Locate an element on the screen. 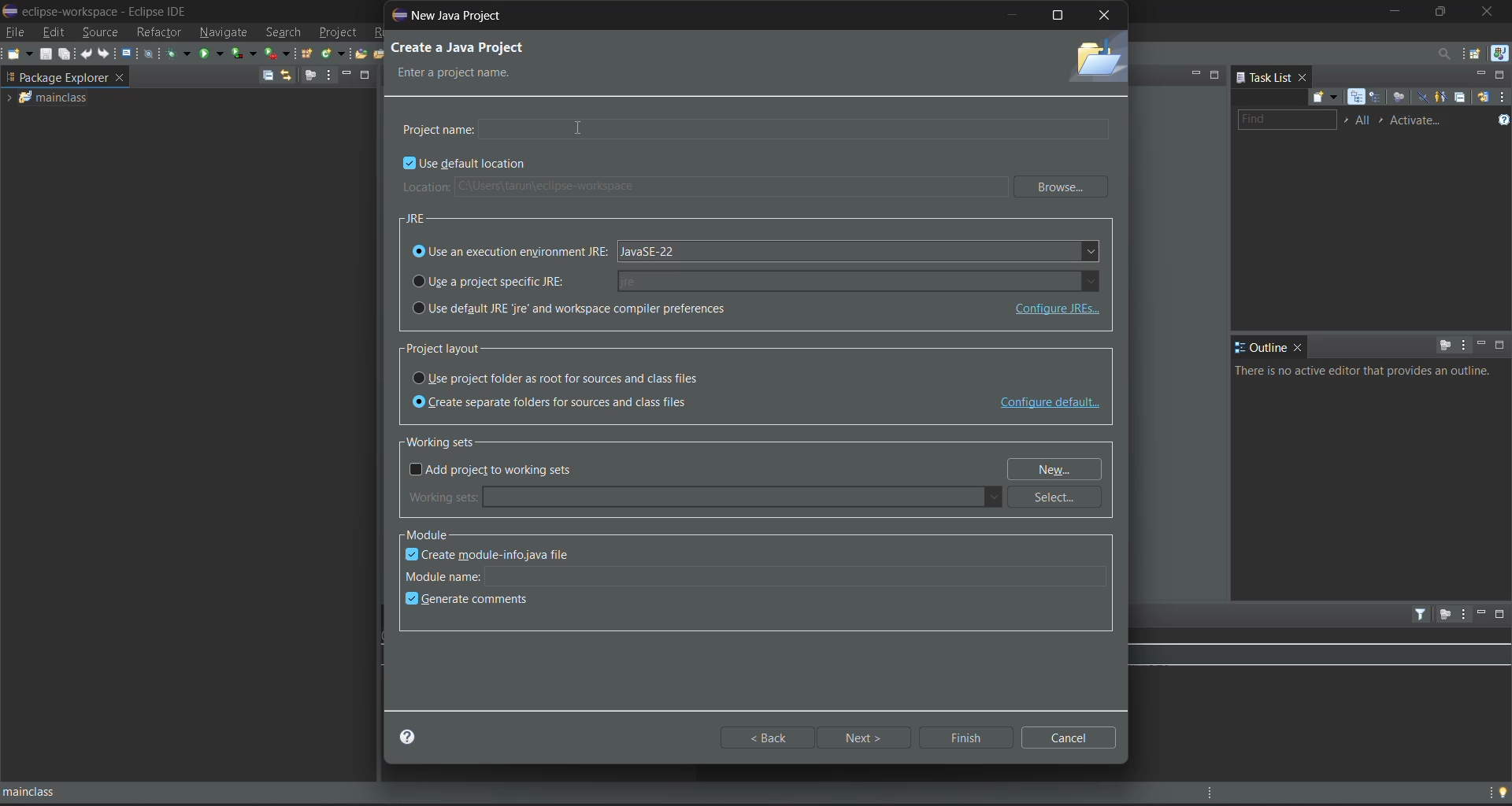 The image size is (1512, 806). project is located at coordinates (339, 34).